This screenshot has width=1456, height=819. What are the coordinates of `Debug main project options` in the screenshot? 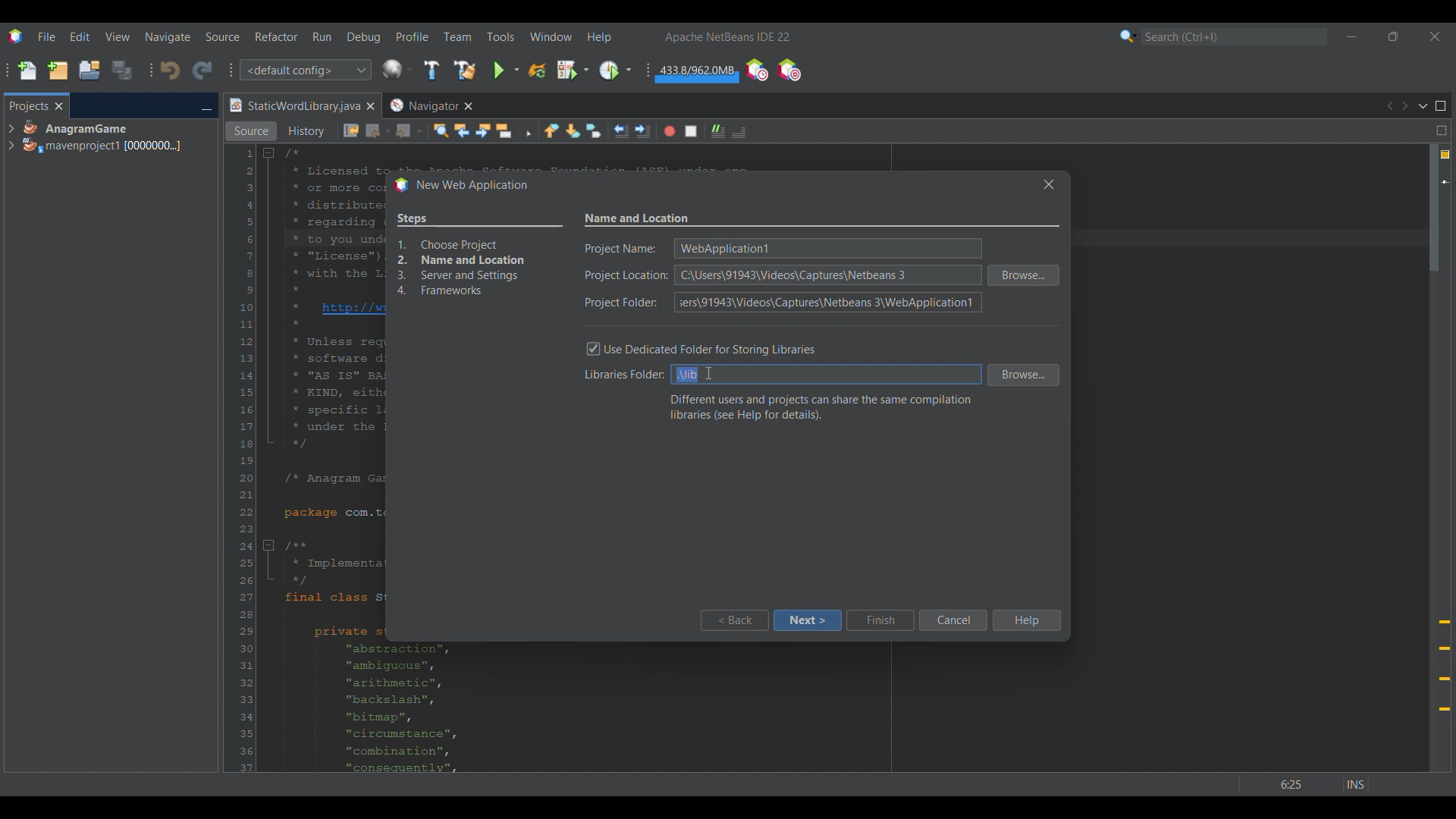 It's located at (573, 69).